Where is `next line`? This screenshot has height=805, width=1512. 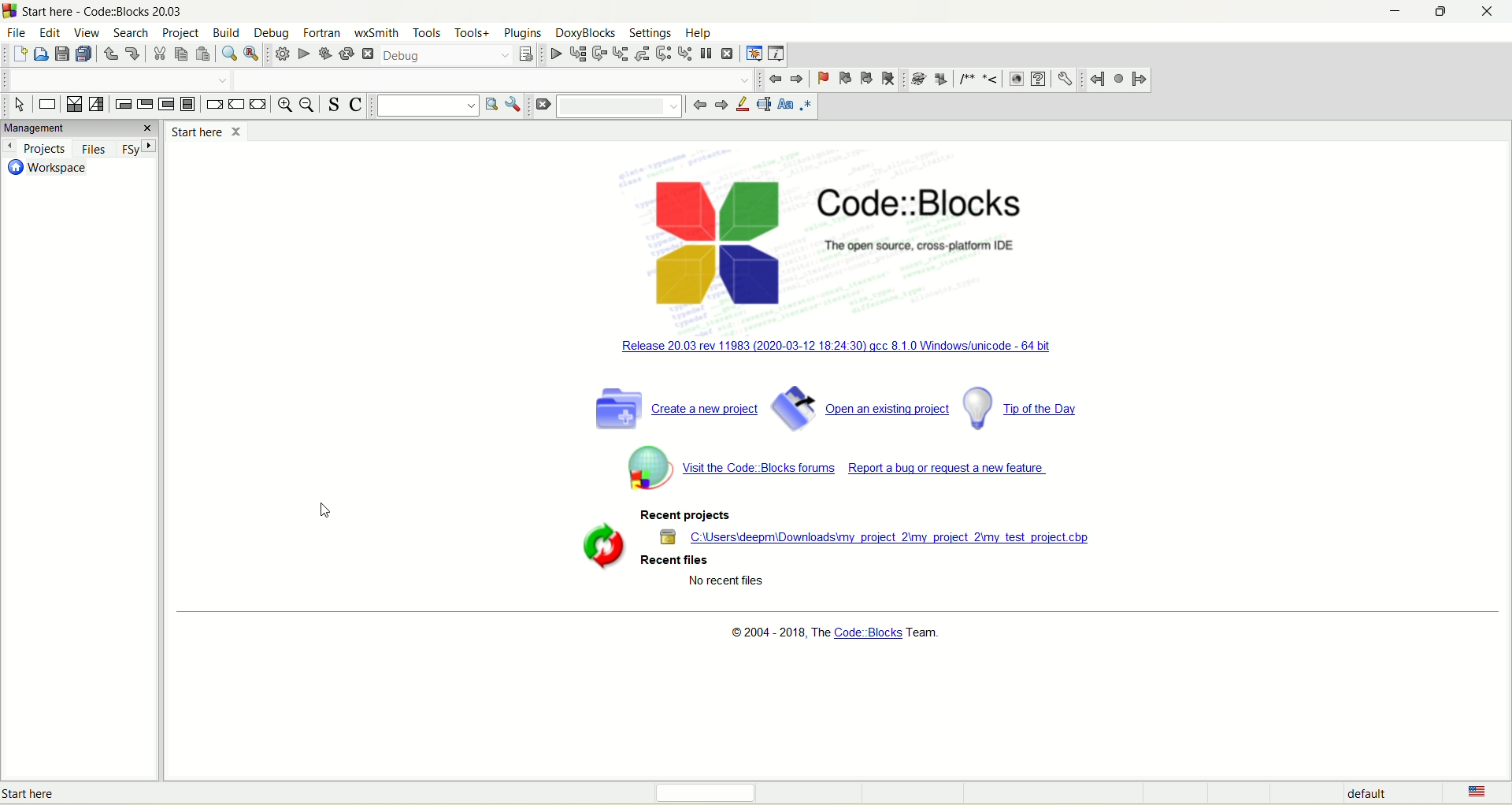 next line is located at coordinates (599, 54).